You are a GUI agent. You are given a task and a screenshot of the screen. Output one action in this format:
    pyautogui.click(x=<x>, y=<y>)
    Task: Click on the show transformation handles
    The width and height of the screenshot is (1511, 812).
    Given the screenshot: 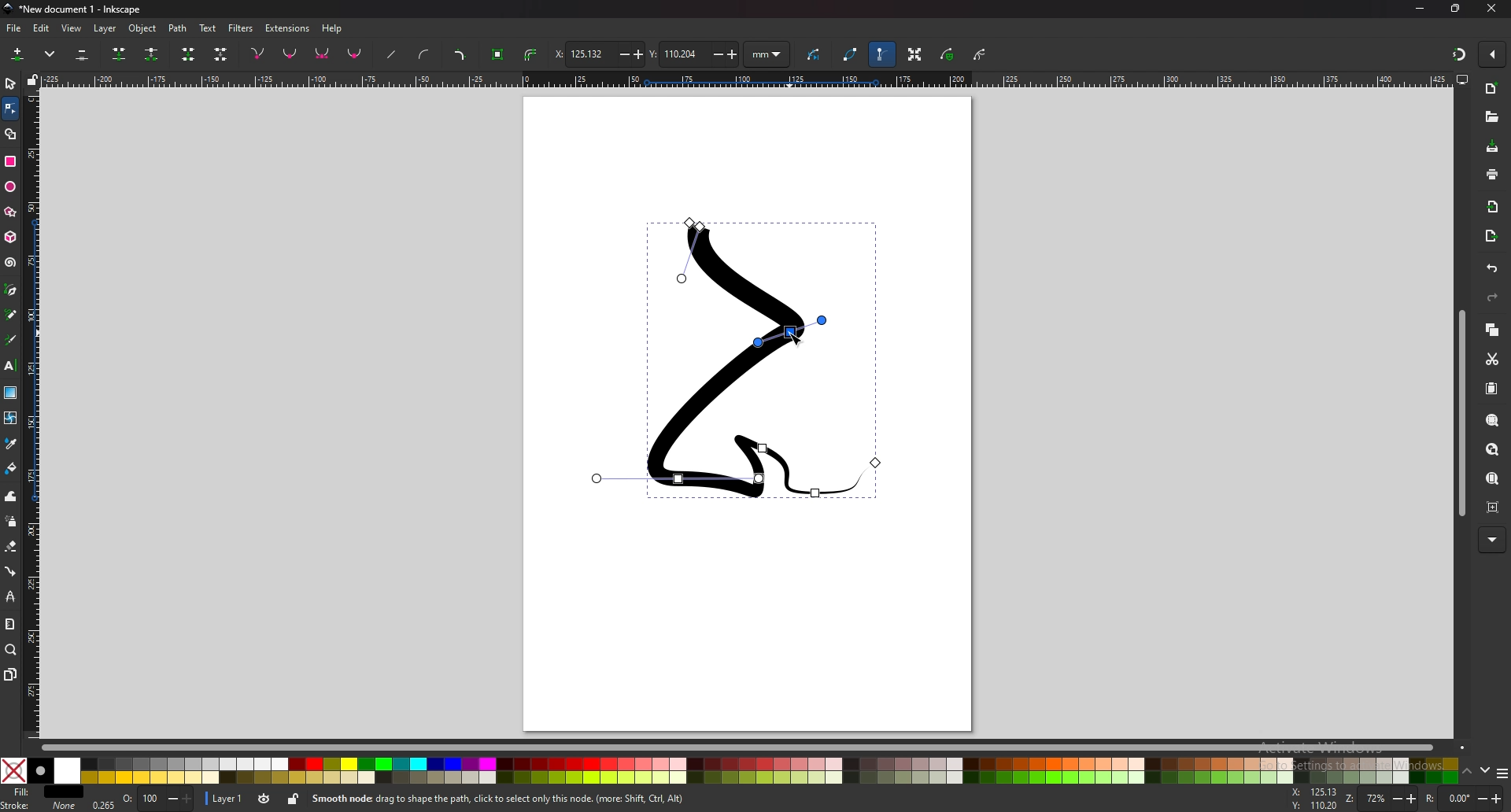 What is the action you would take?
    pyautogui.click(x=914, y=54)
    